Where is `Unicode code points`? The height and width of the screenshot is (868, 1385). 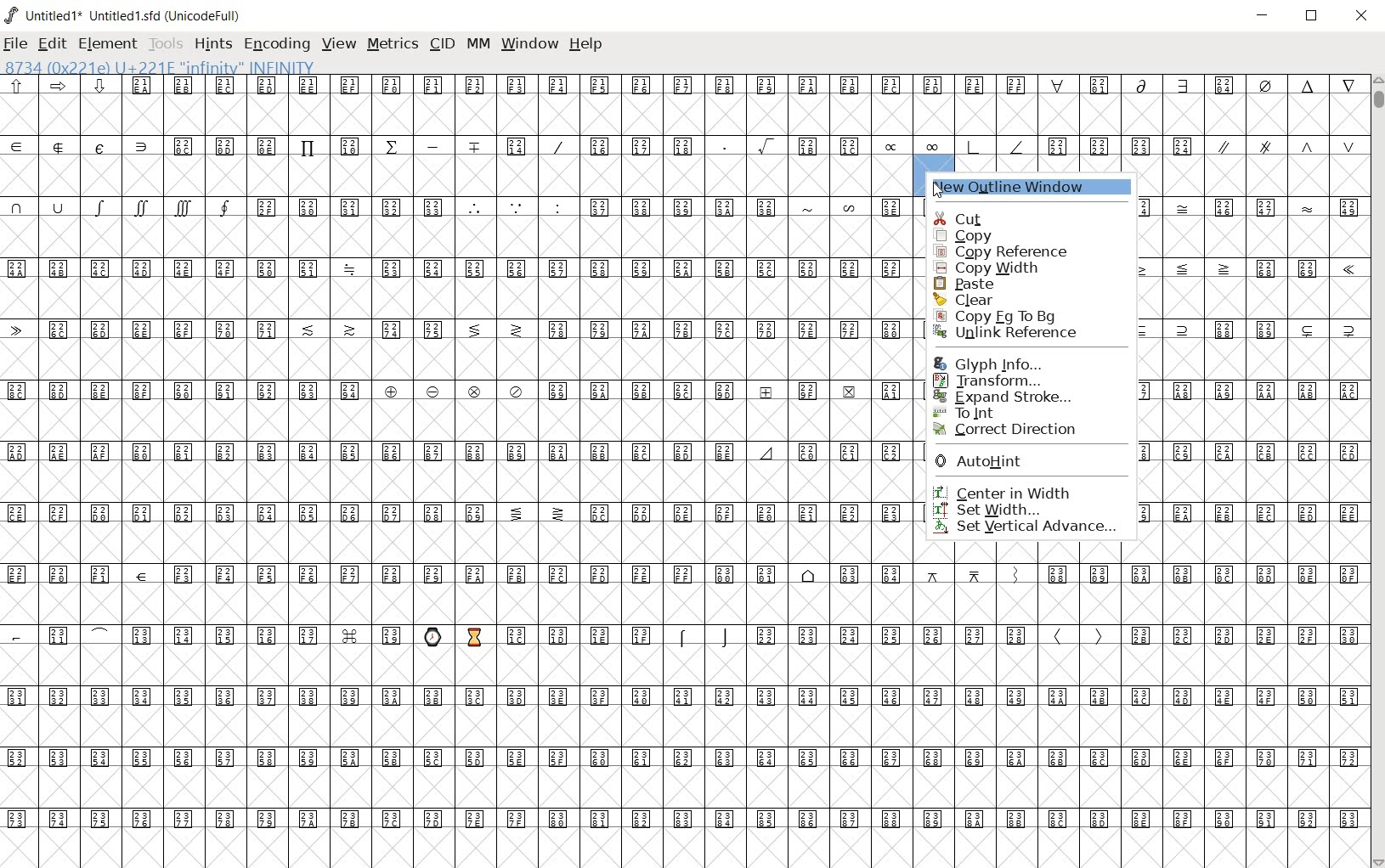
Unicode code points is located at coordinates (516, 145).